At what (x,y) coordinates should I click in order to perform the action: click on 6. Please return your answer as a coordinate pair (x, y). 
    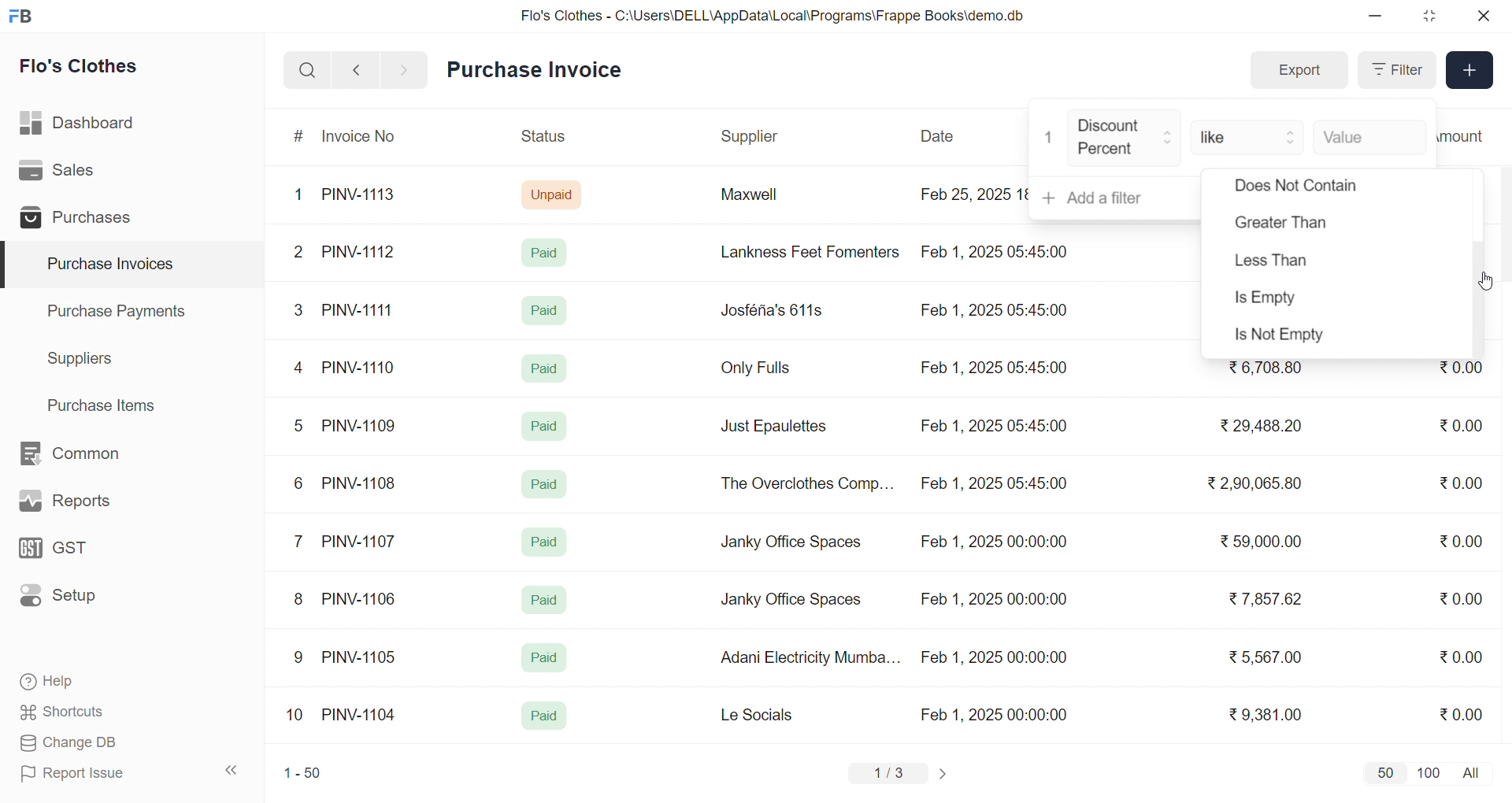
    Looking at the image, I should click on (298, 483).